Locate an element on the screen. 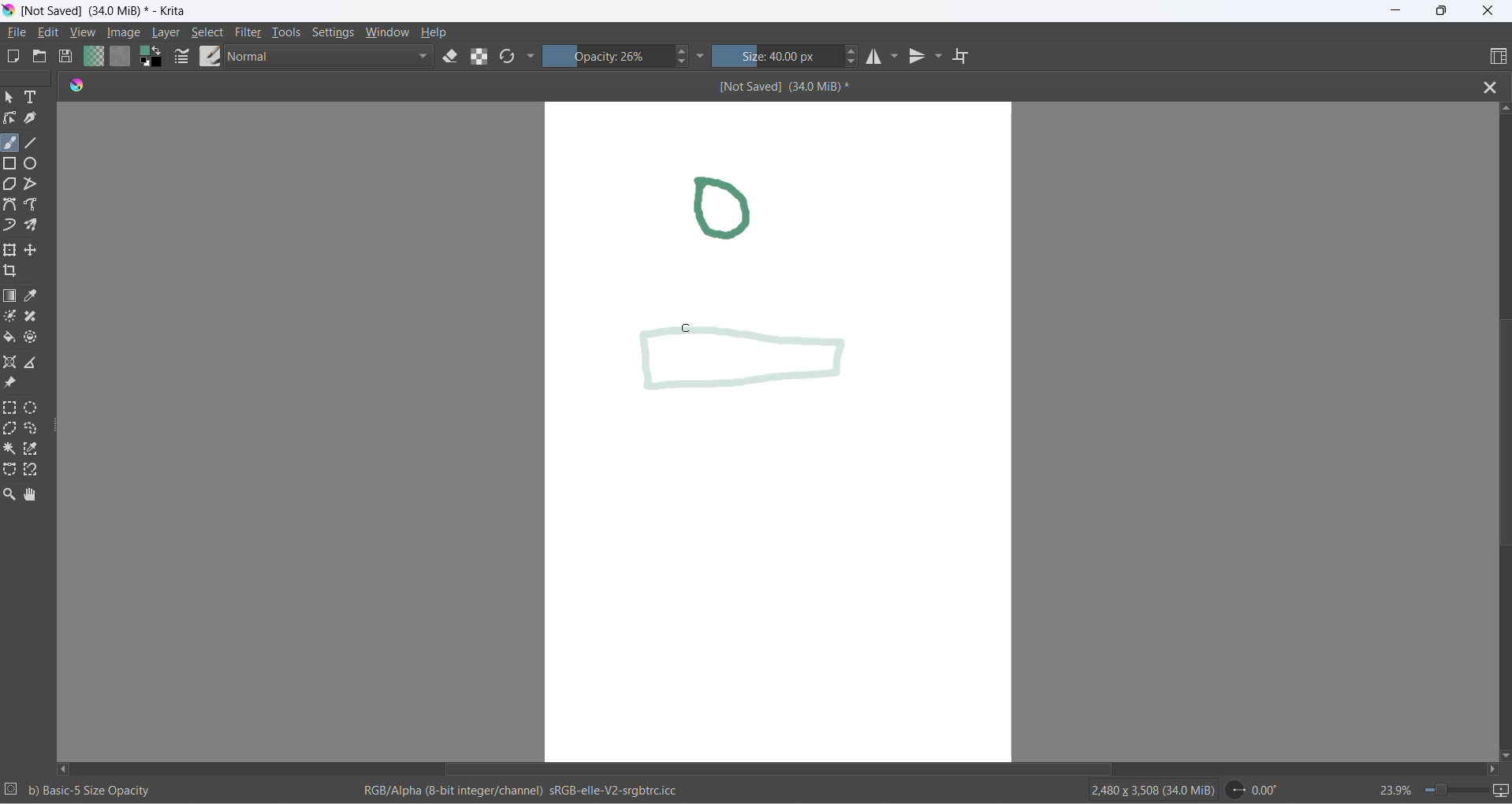 The width and height of the screenshot is (1512, 804). edit is located at coordinates (50, 32).